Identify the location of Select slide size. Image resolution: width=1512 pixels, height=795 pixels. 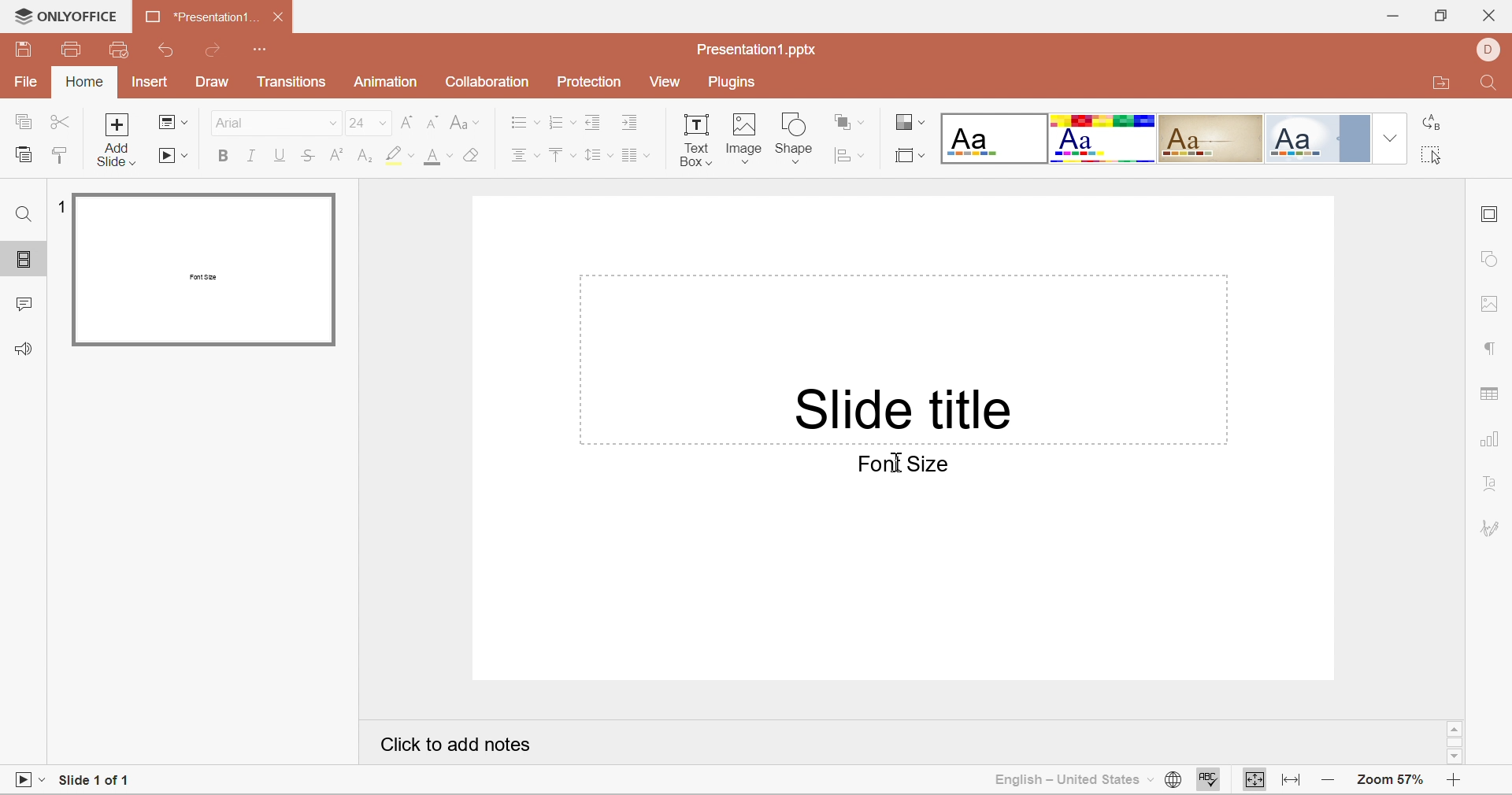
(910, 155).